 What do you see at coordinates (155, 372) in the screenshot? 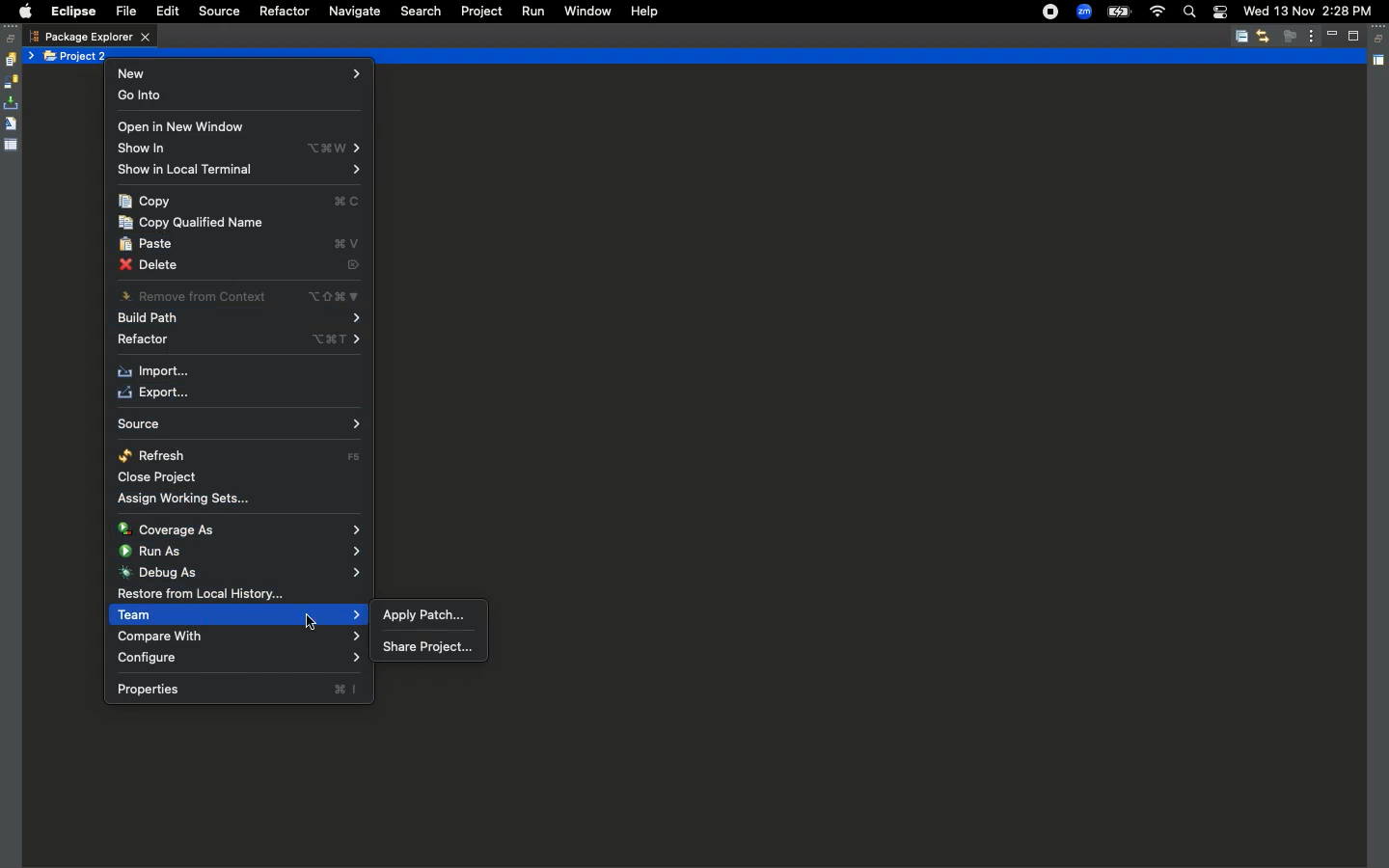
I see `Import` at bounding box center [155, 372].